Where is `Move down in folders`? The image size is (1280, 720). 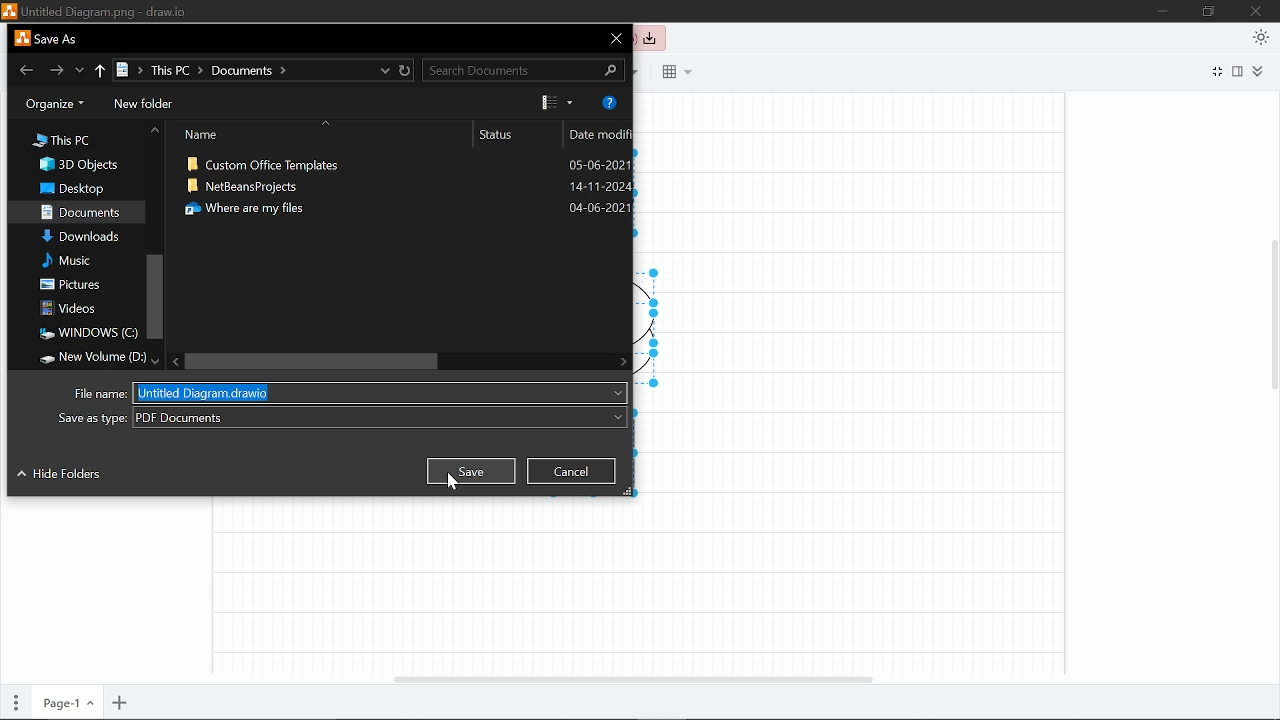 Move down in folders is located at coordinates (155, 358).